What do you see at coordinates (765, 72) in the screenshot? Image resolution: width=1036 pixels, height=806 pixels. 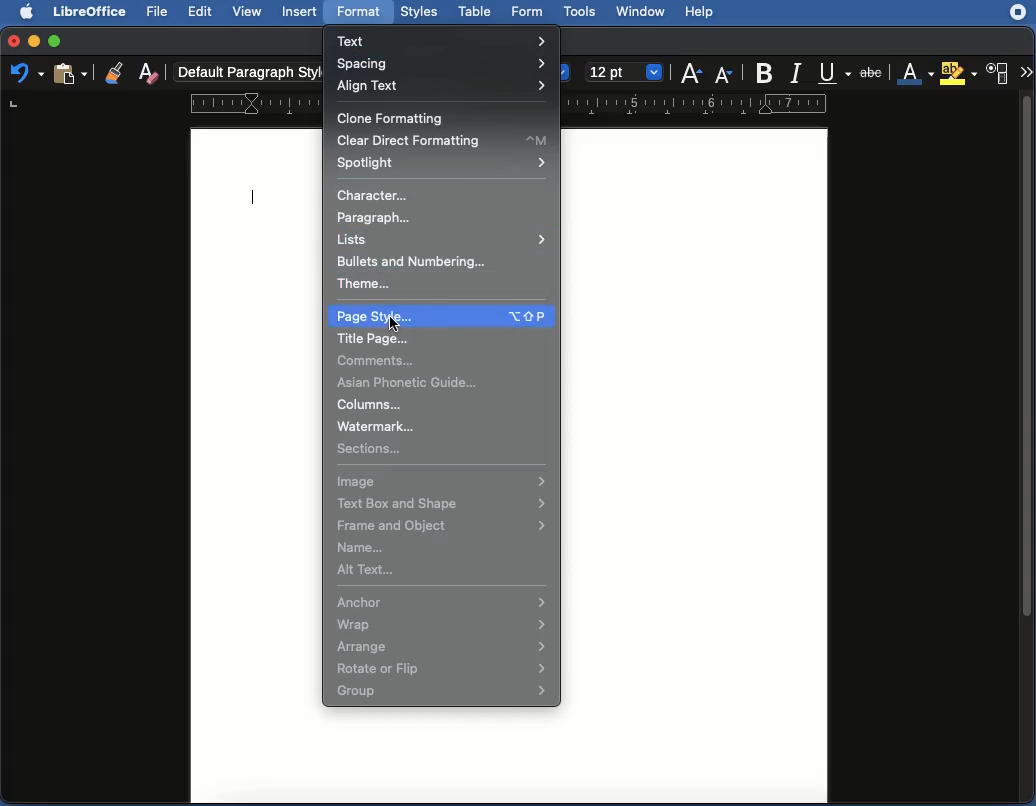 I see `Bold` at bounding box center [765, 72].